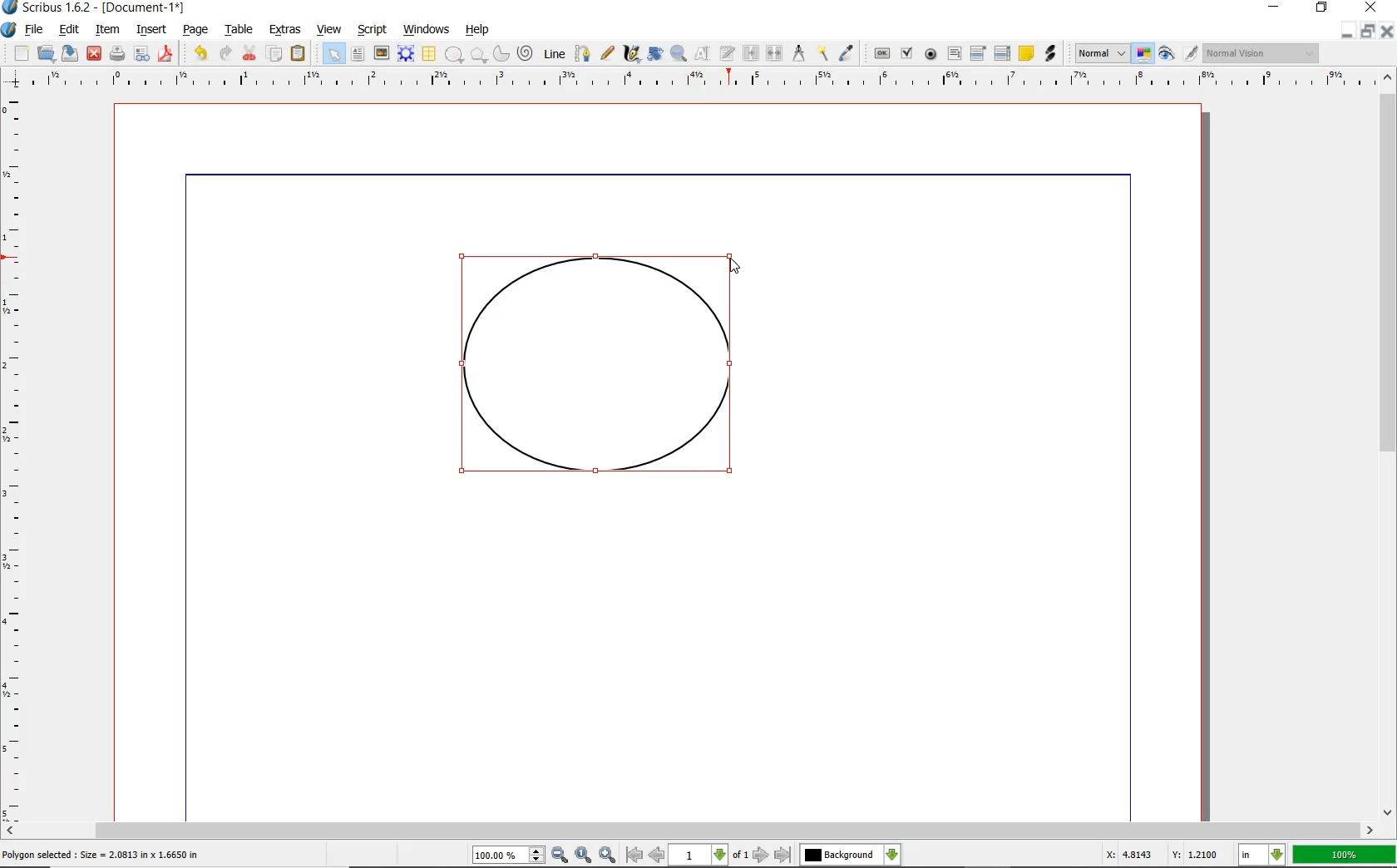 This screenshot has height=868, width=1397. I want to click on RENDER FRAME, so click(404, 53).